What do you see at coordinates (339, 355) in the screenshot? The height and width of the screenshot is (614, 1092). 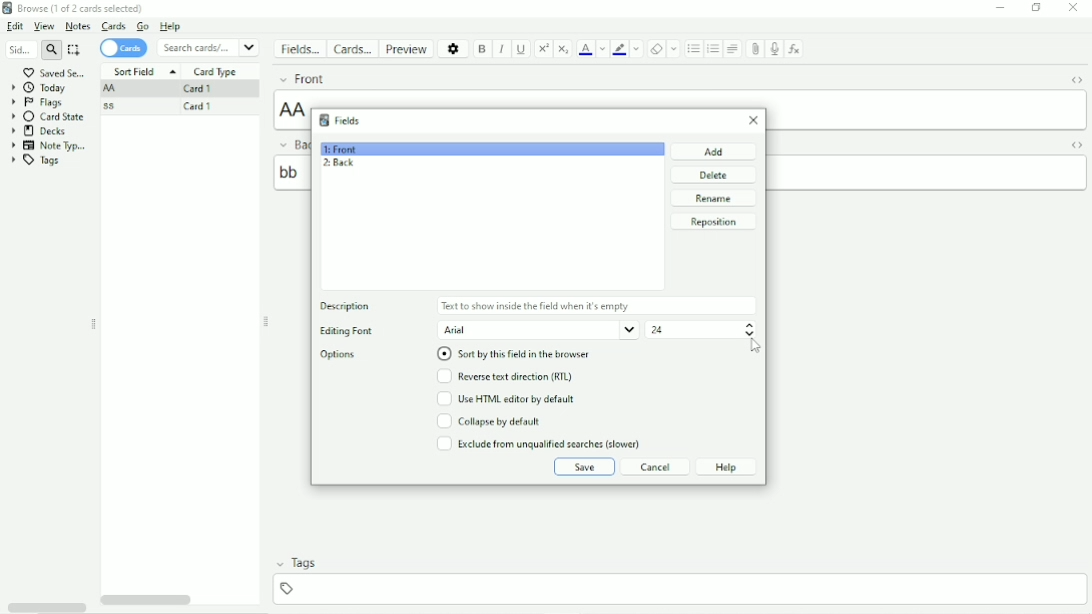 I see `Options` at bounding box center [339, 355].